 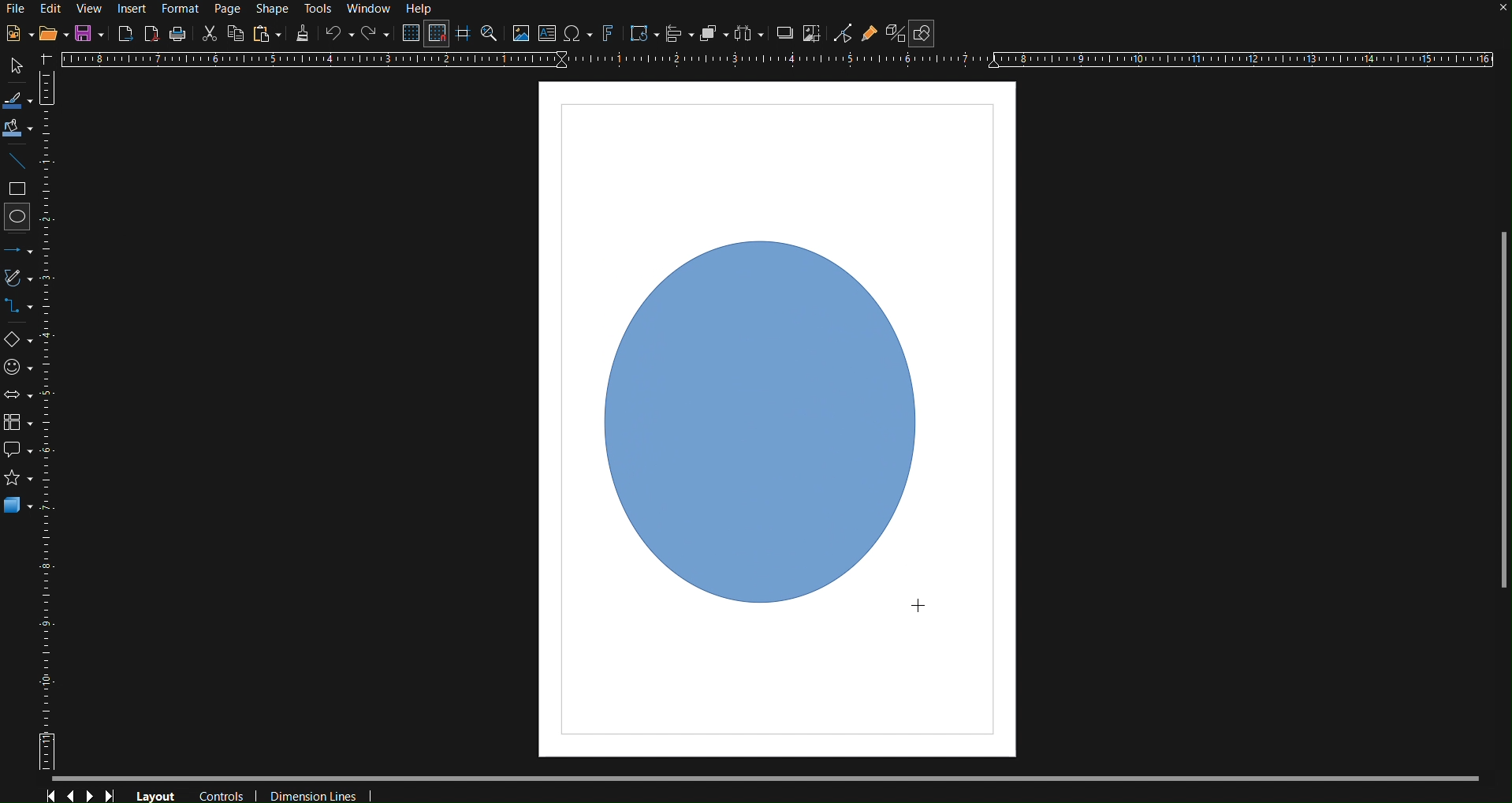 What do you see at coordinates (713, 35) in the screenshot?
I see `Arrange` at bounding box center [713, 35].